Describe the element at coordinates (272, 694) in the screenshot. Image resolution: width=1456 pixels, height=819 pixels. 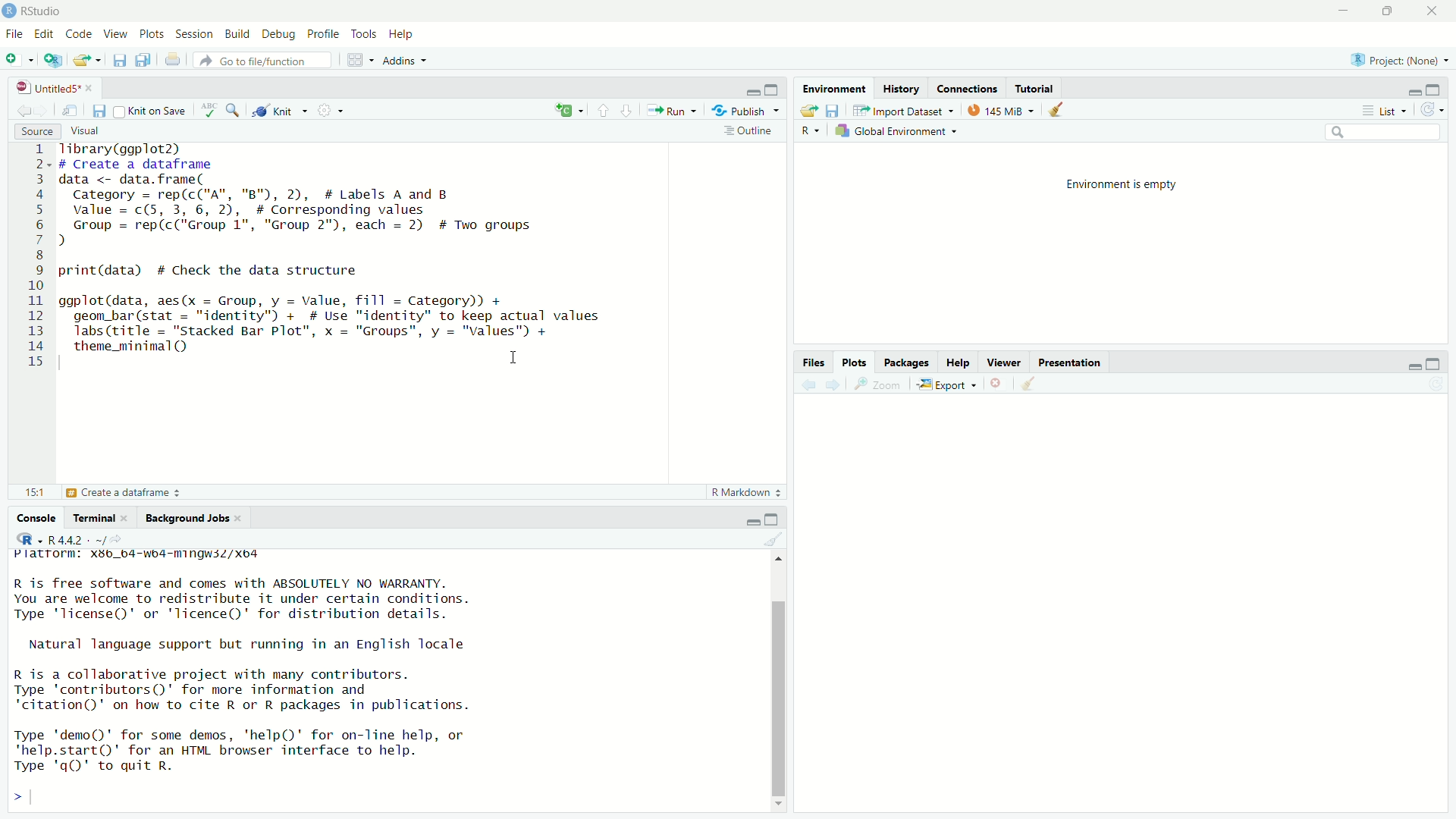
I see `R is free software and comes with ABSOLUTELY NO WARRANTY.

You are welcome to redistribute it under certain conditions.

Type "license" or 'licence()' for distribution details.
Natural language support but running in an English locale

R is a collaborative project with many contributors.

Type 'contributors()' for more information and

'citation()' on how to cite R or R packages in publications.

Type 'demo()' for some demos, 'help()' for on-line help, or

*help.start()' for an HTML browser interface to help.

Type 'gQ' to quit R.

>` at that location.